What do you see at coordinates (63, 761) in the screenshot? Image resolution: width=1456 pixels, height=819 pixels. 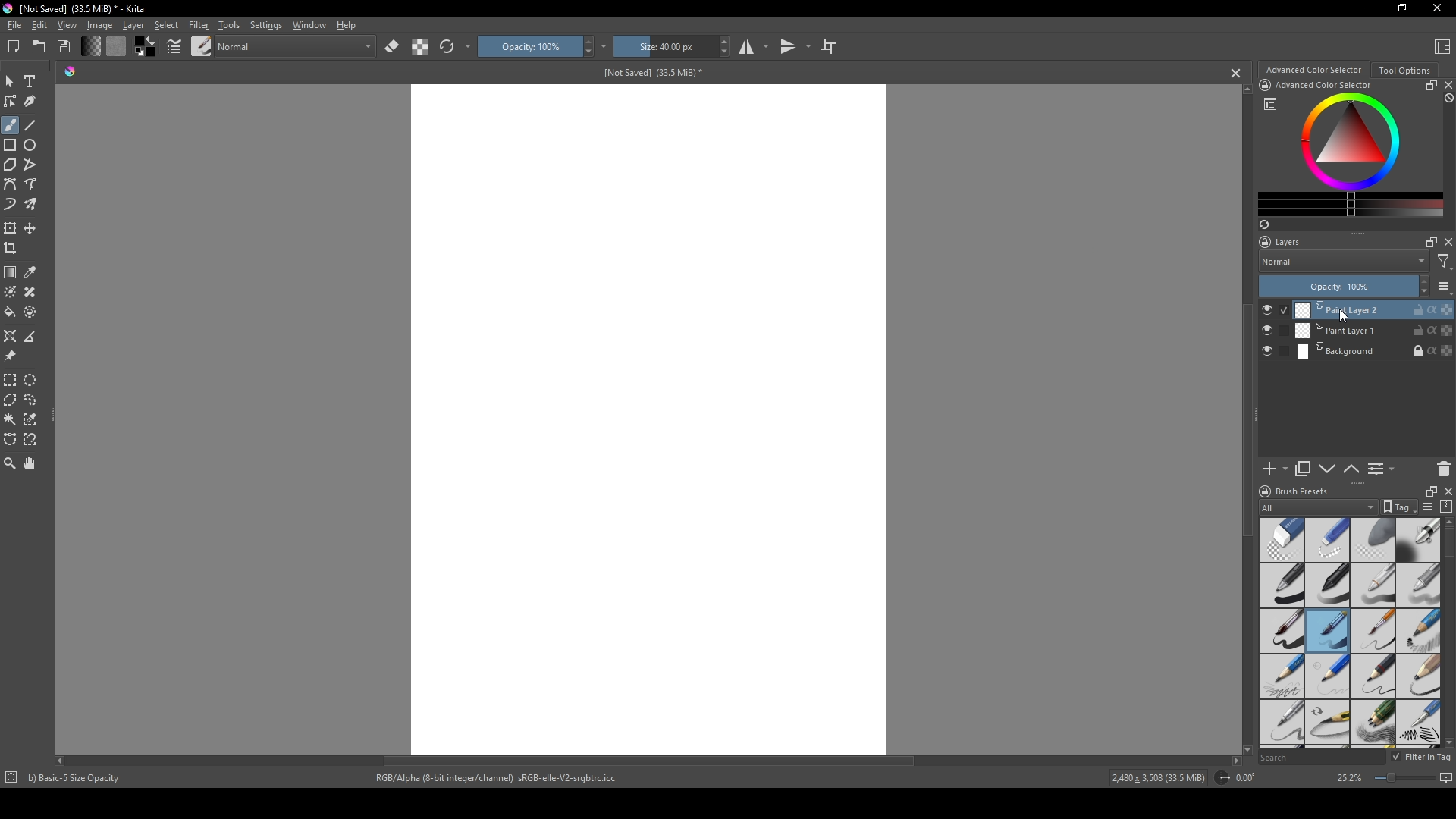 I see `scroll left` at bounding box center [63, 761].